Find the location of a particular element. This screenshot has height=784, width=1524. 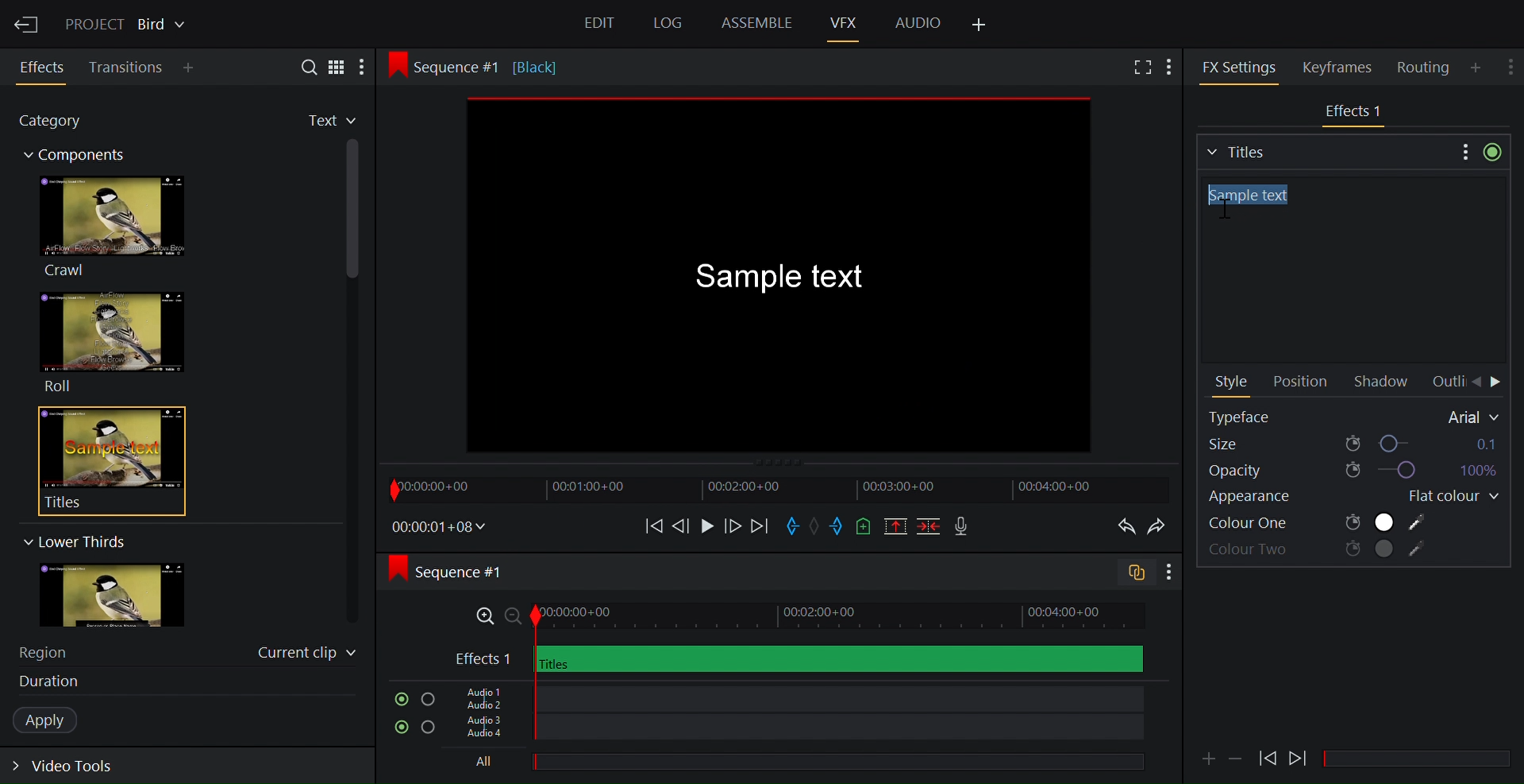

Crawl is located at coordinates (110, 226).